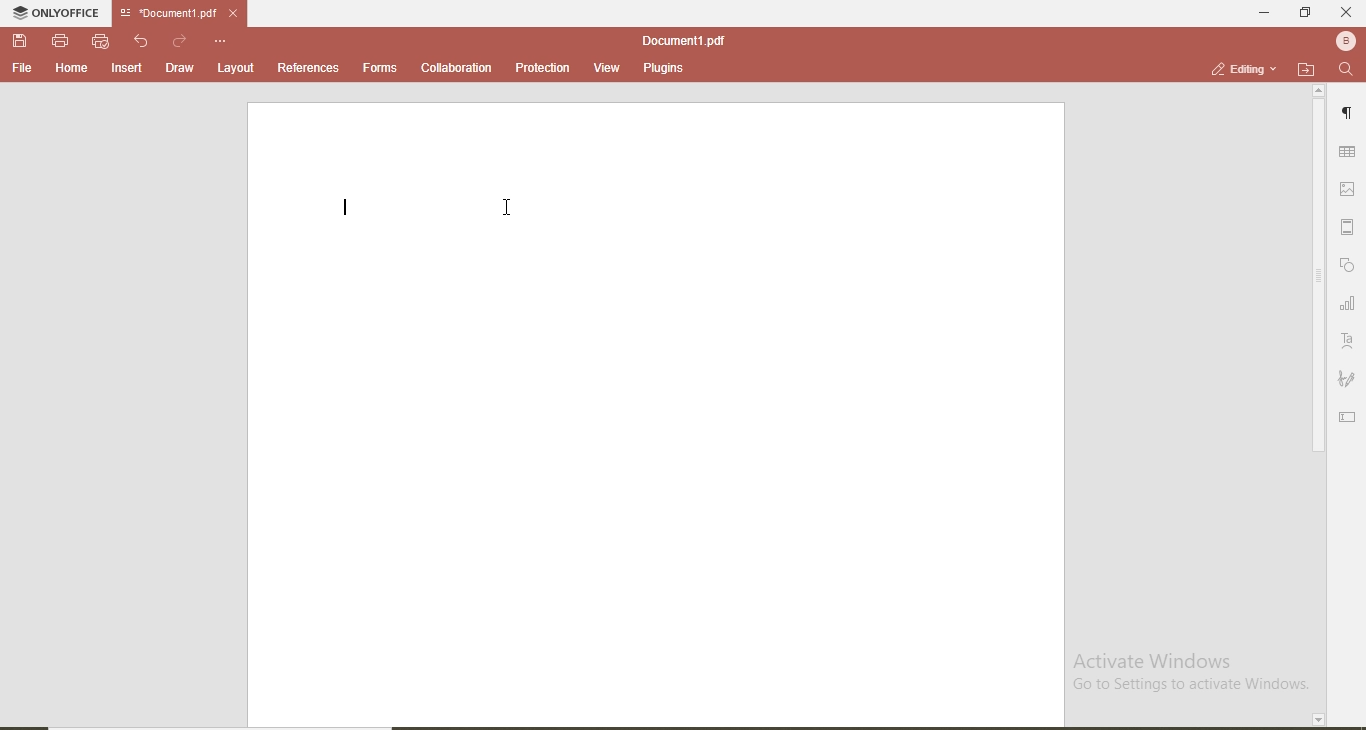  Describe the element at coordinates (665, 69) in the screenshot. I see `plugins` at that location.